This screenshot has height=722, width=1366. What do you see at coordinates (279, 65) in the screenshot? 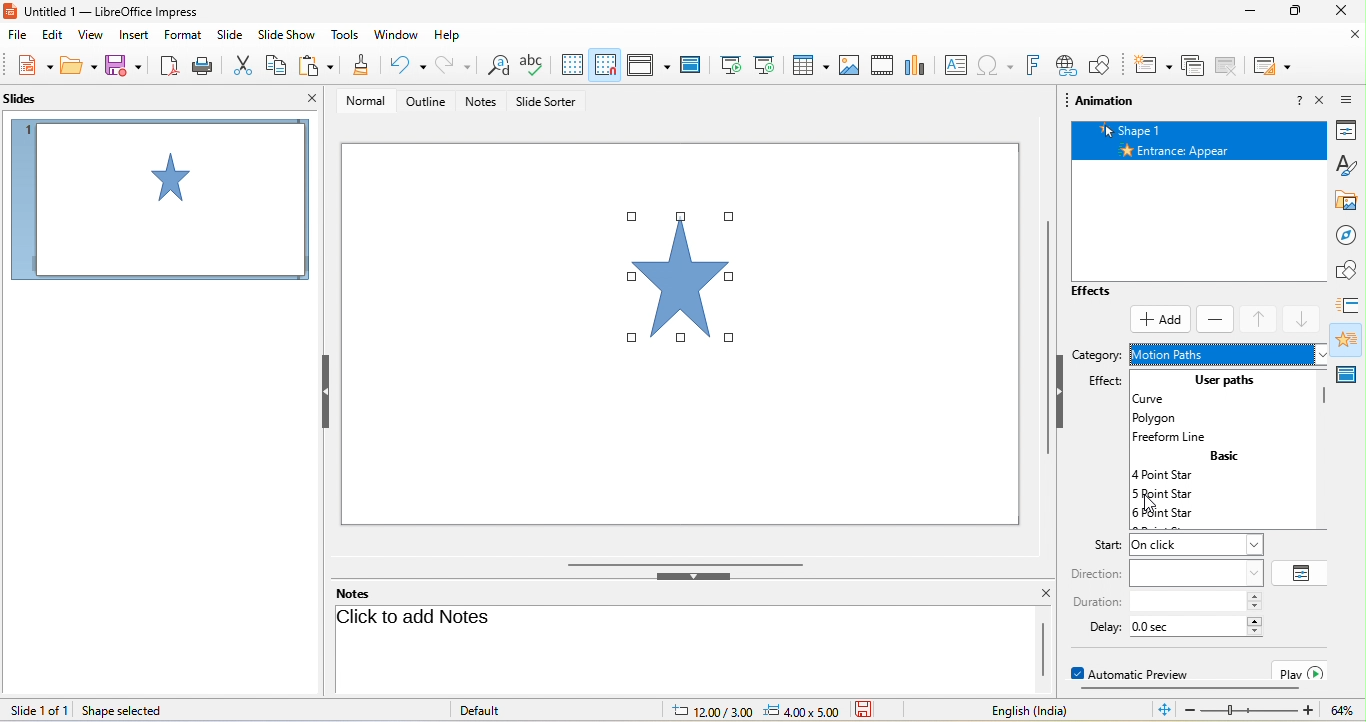
I see `copy` at bounding box center [279, 65].